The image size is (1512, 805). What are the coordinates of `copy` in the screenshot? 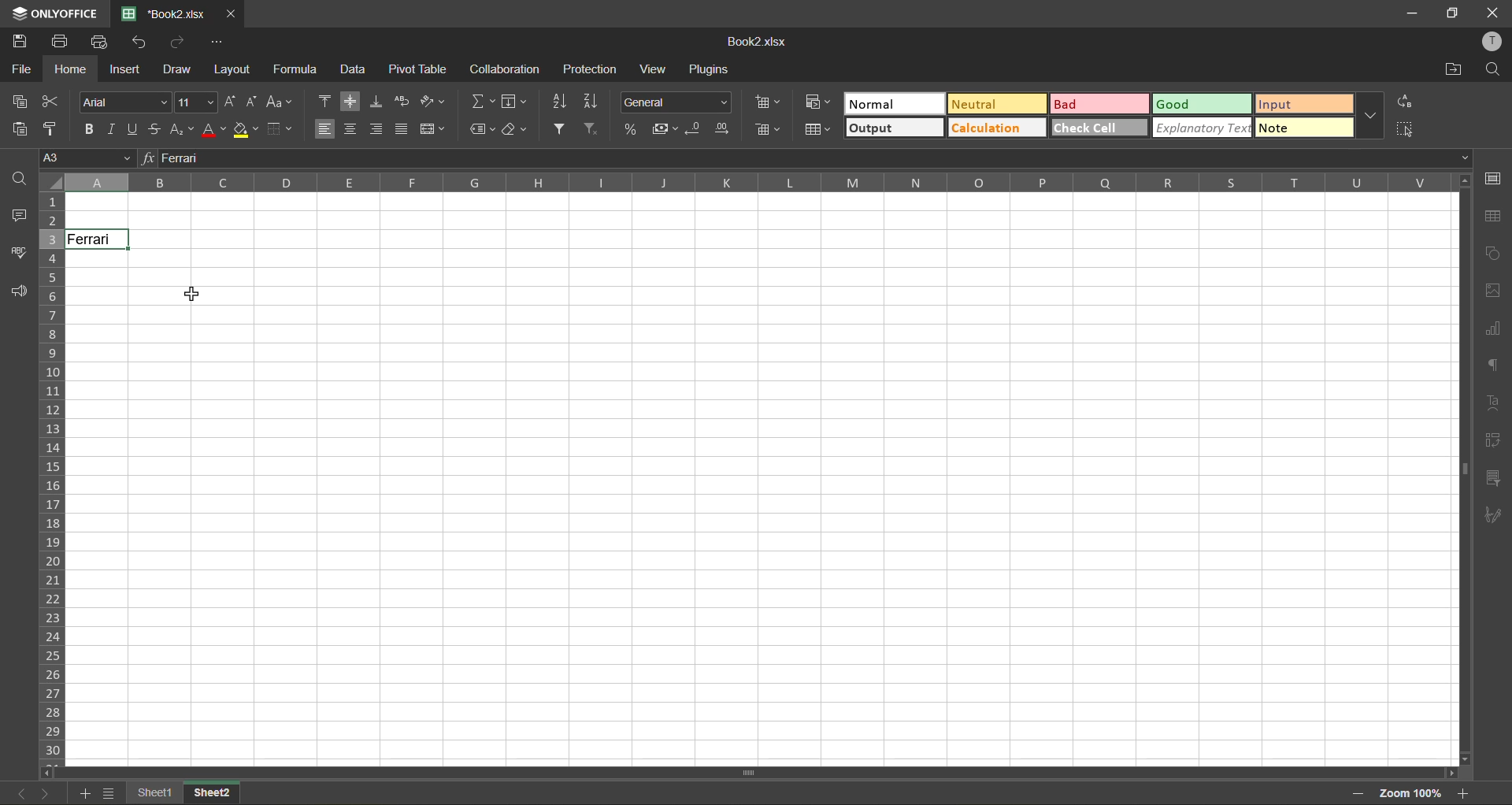 It's located at (21, 101).